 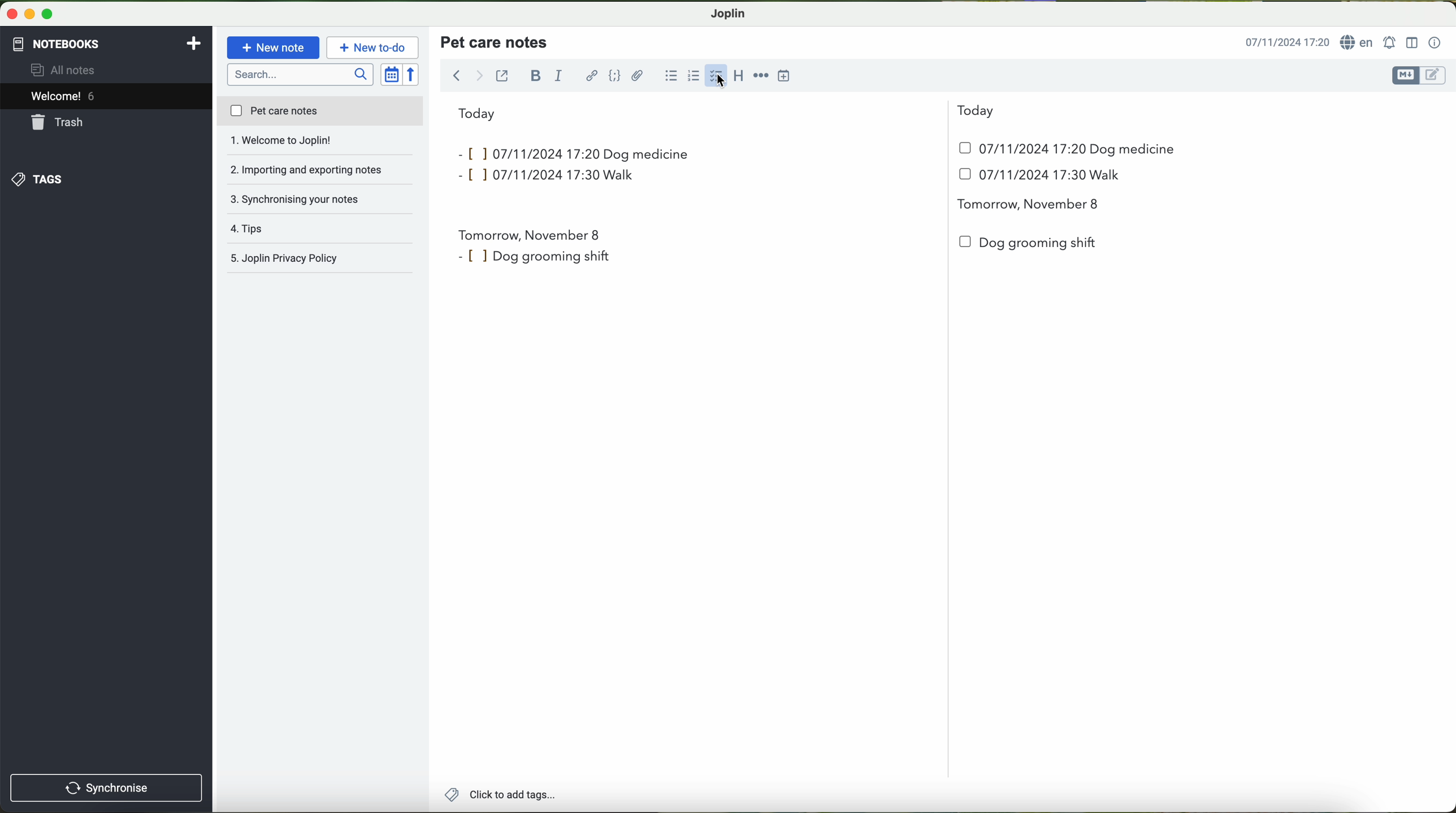 I want to click on click on checkbox, so click(x=717, y=77).